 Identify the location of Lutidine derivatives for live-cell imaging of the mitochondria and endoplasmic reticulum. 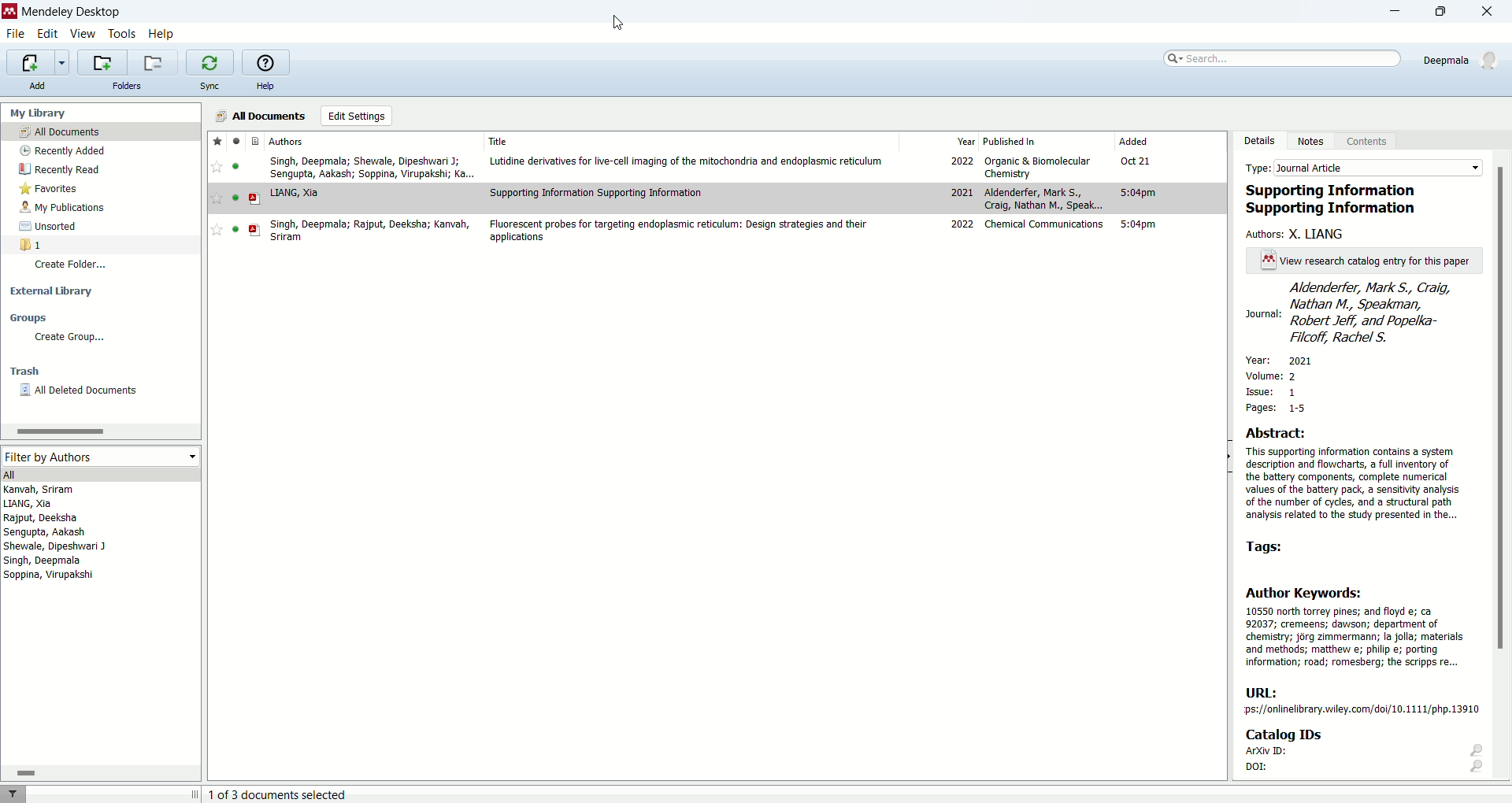
(687, 161).